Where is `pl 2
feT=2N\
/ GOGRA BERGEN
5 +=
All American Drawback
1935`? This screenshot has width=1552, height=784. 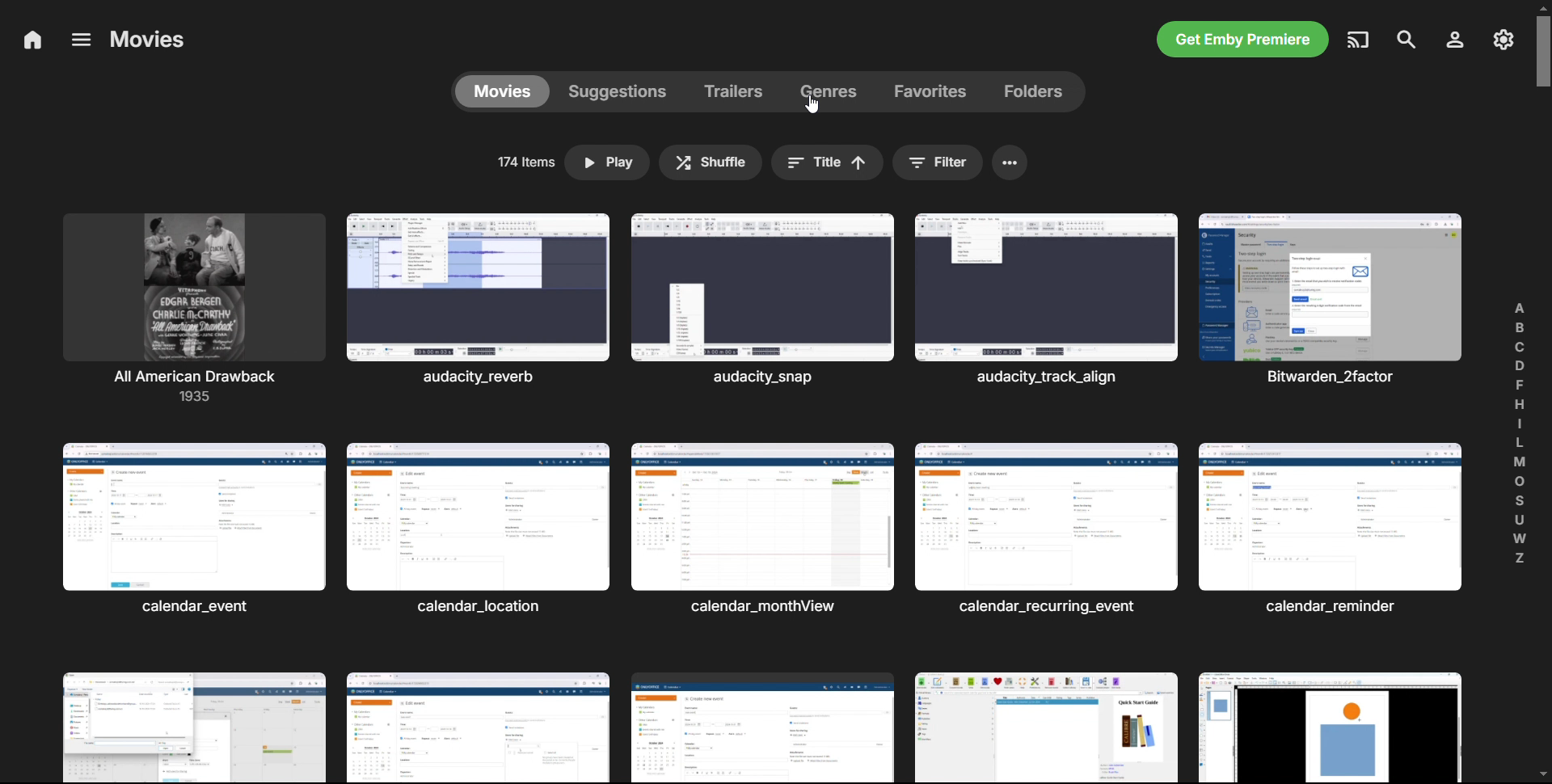
pl 2
feT=2N\
/ GOGRA BERGEN
5 +=
All American Drawback
1935 is located at coordinates (196, 310).